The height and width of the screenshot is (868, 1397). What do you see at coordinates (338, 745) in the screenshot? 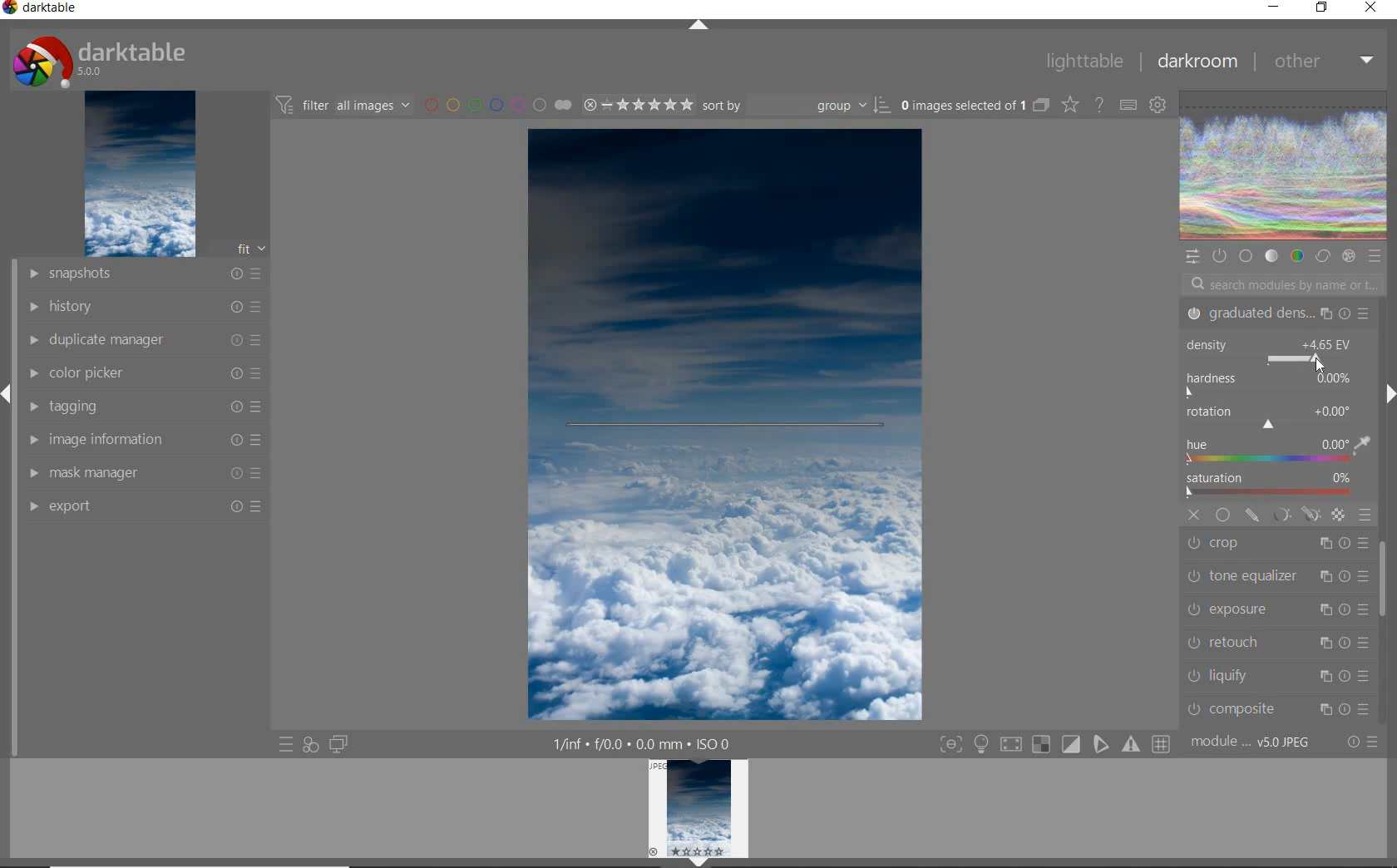
I see `DISPLAY A SECOND DARKROOM DISPLAY` at bounding box center [338, 745].